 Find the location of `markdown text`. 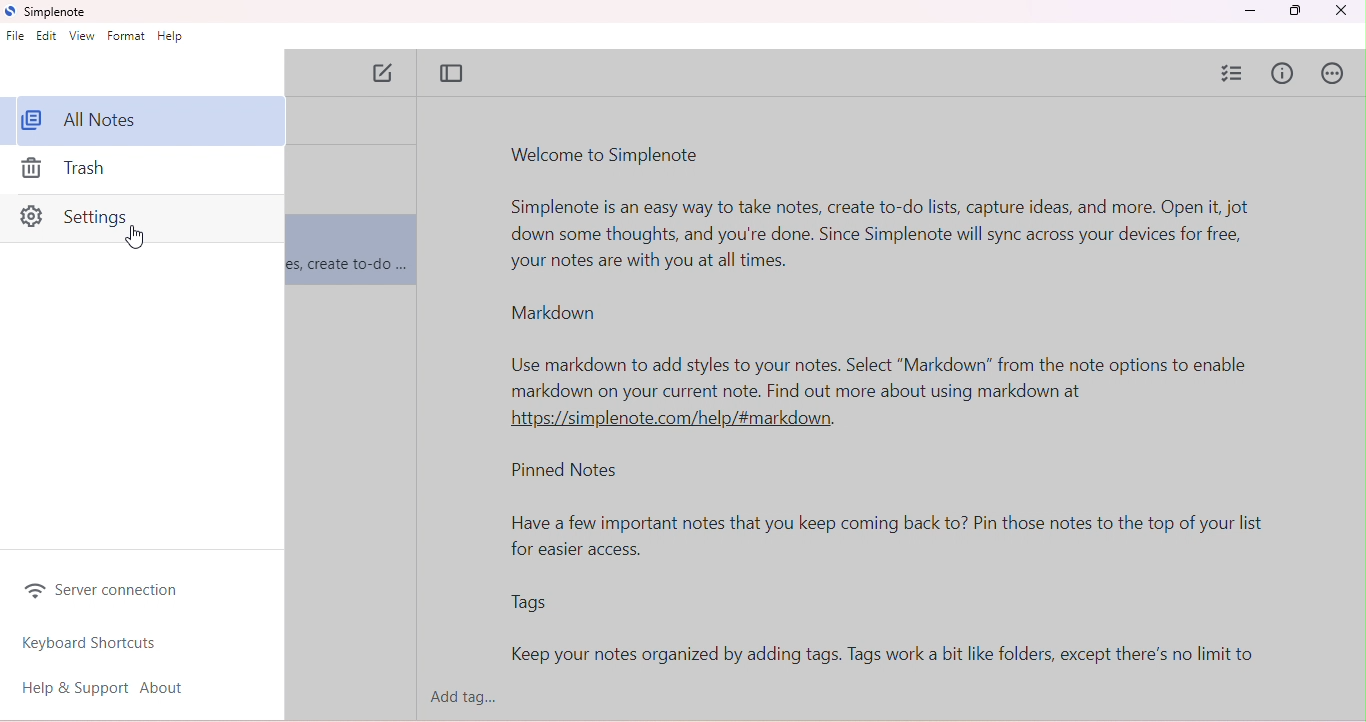

markdown text is located at coordinates (885, 391).